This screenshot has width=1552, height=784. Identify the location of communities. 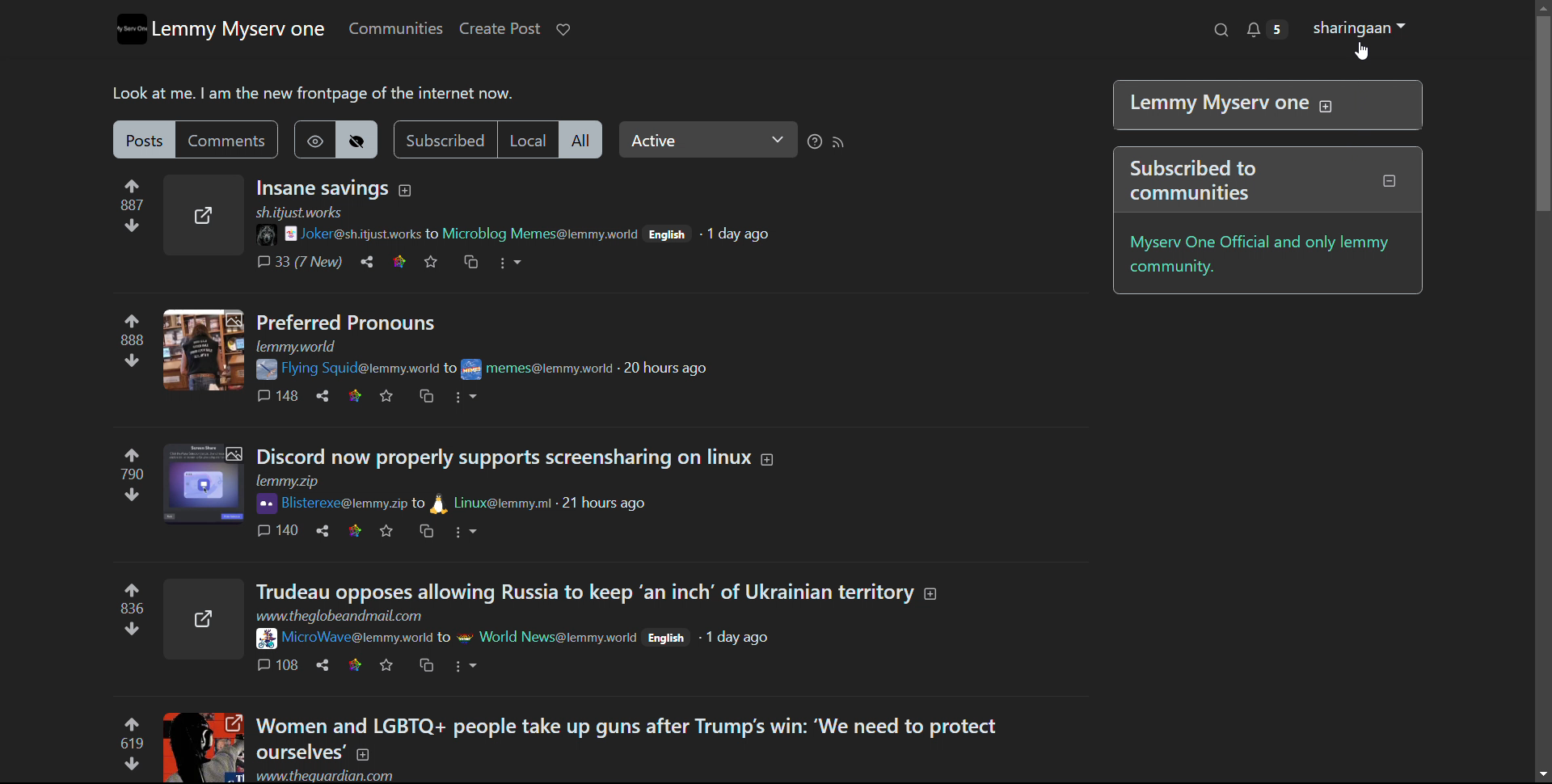
(394, 30).